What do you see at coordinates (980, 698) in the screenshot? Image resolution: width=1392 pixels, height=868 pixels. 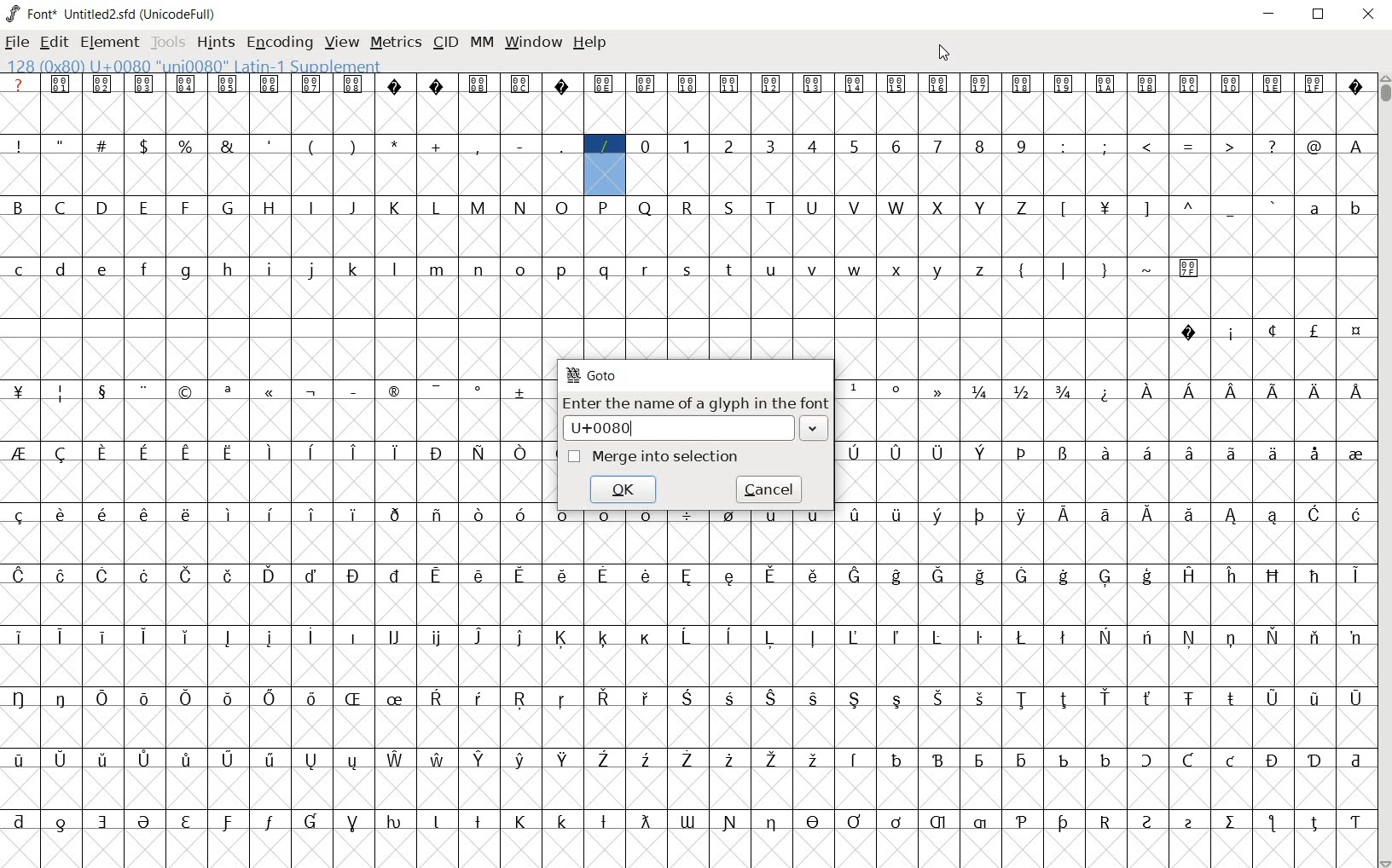 I see `glyph` at bounding box center [980, 698].